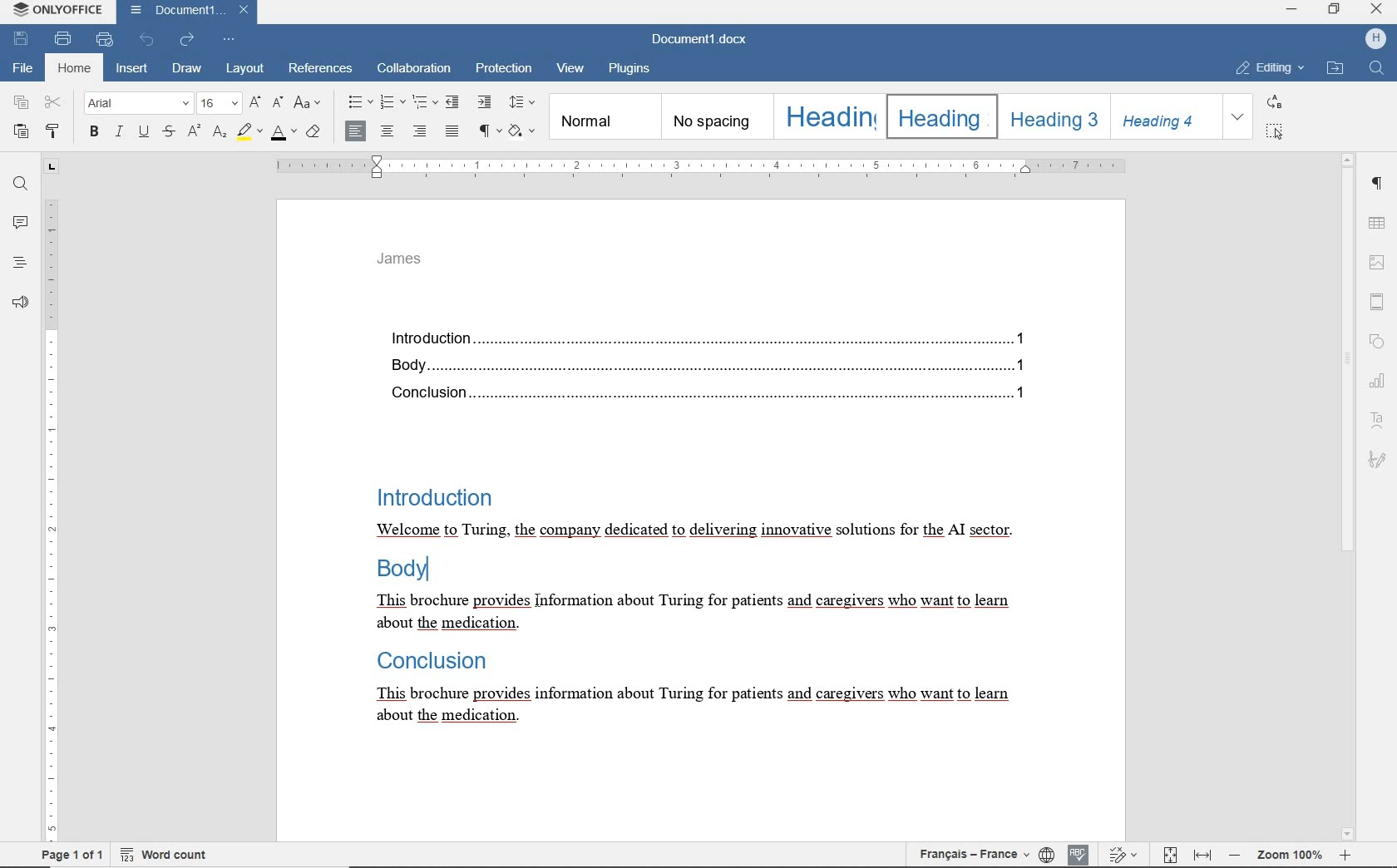  I want to click on CHART, so click(1378, 376).